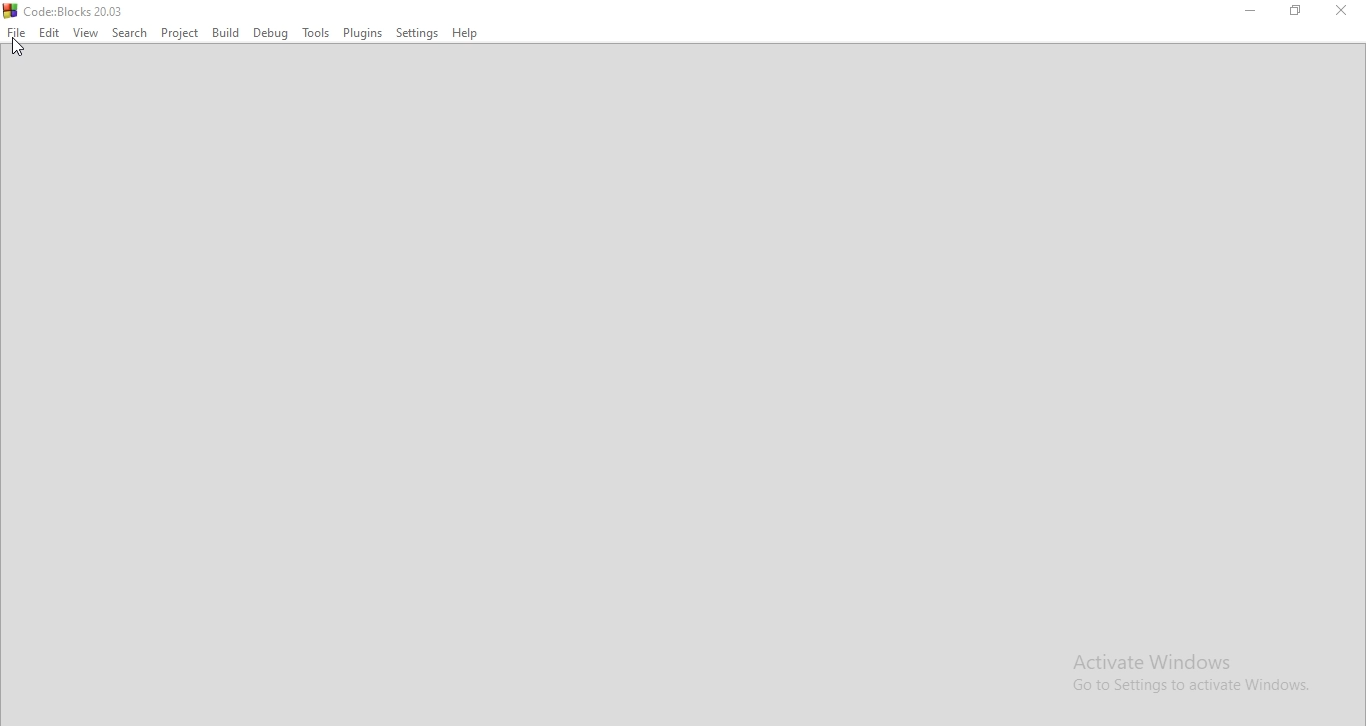 Image resolution: width=1366 pixels, height=726 pixels. Describe the element at coordinates (1343, 11) in the screenshot. I see `Minimise` at that location.